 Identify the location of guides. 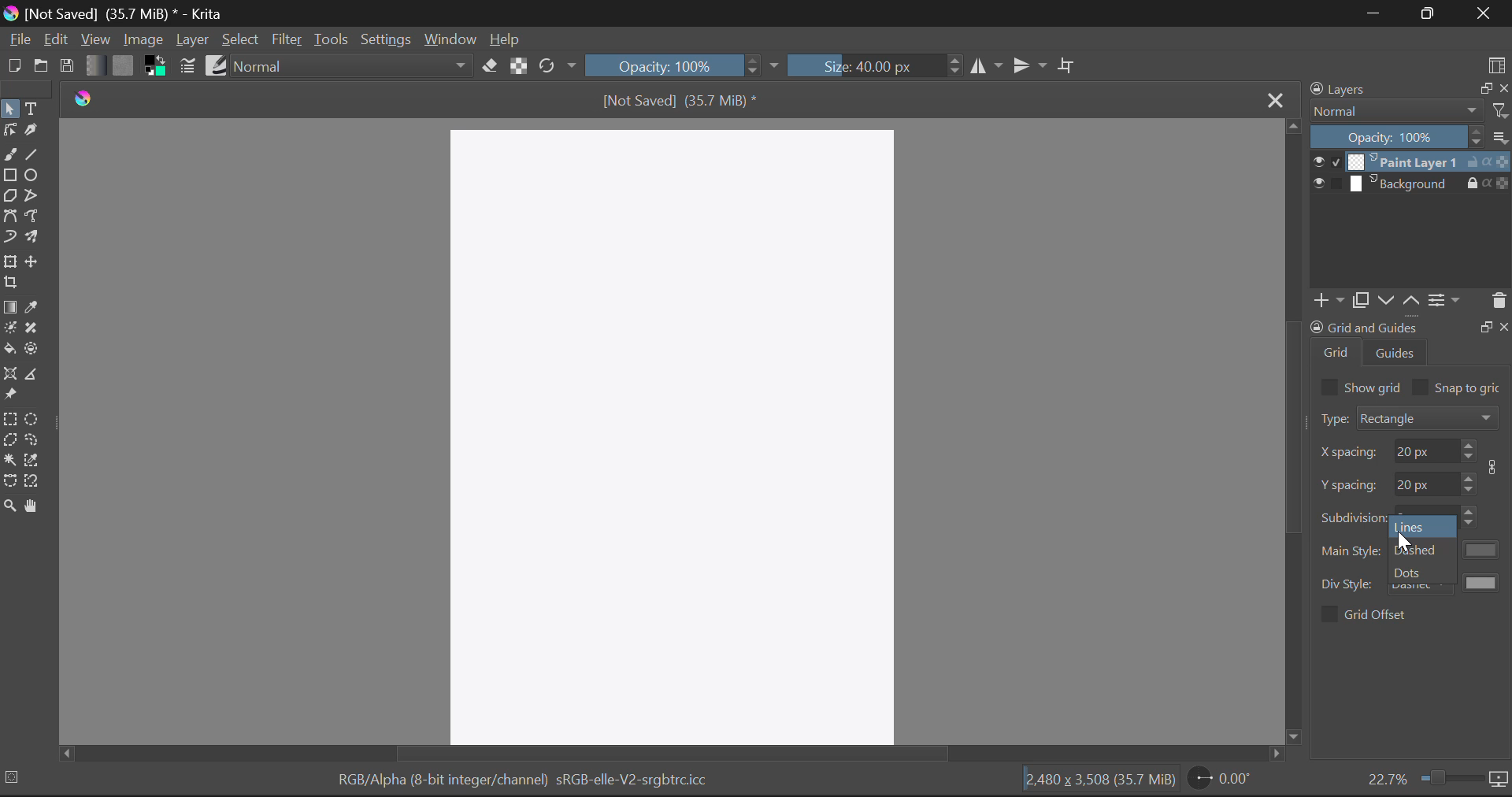
(1396, 352).